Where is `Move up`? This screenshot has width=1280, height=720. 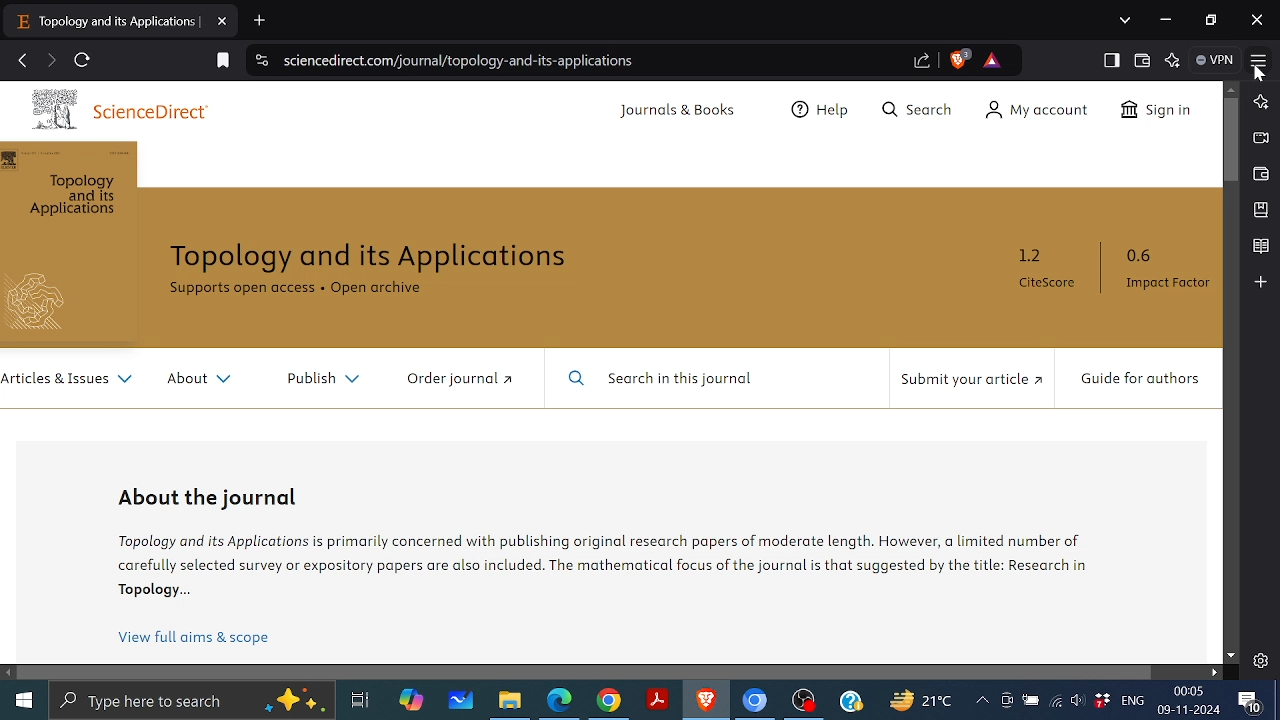
Move up is located at coordinates (1230, 89).